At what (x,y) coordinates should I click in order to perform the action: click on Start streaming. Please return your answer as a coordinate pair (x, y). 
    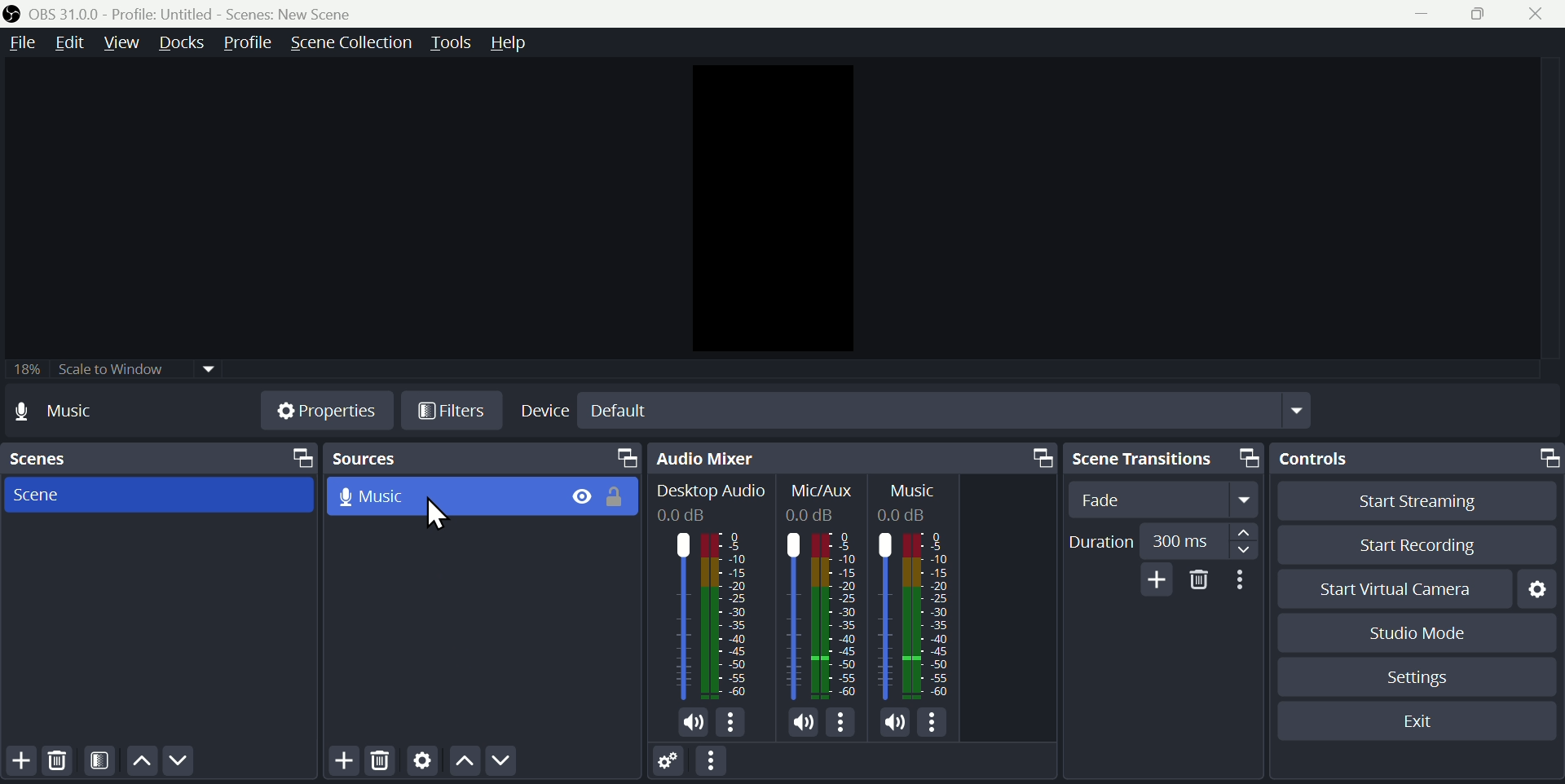
    Looking at the image, I should click on (1415, 499).